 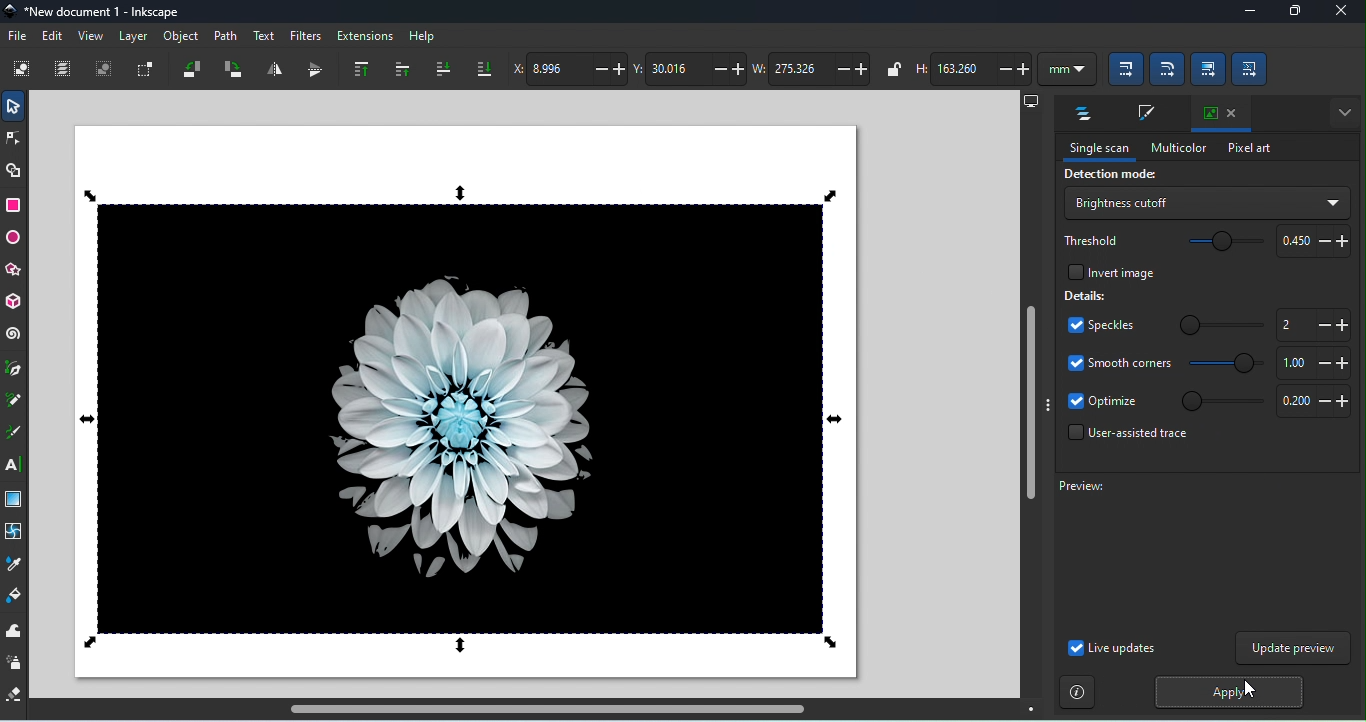 What do you see at coordinates (310, 71) in the screenshot?
I see `Object flip vertically` at bounding box center [310, 71].